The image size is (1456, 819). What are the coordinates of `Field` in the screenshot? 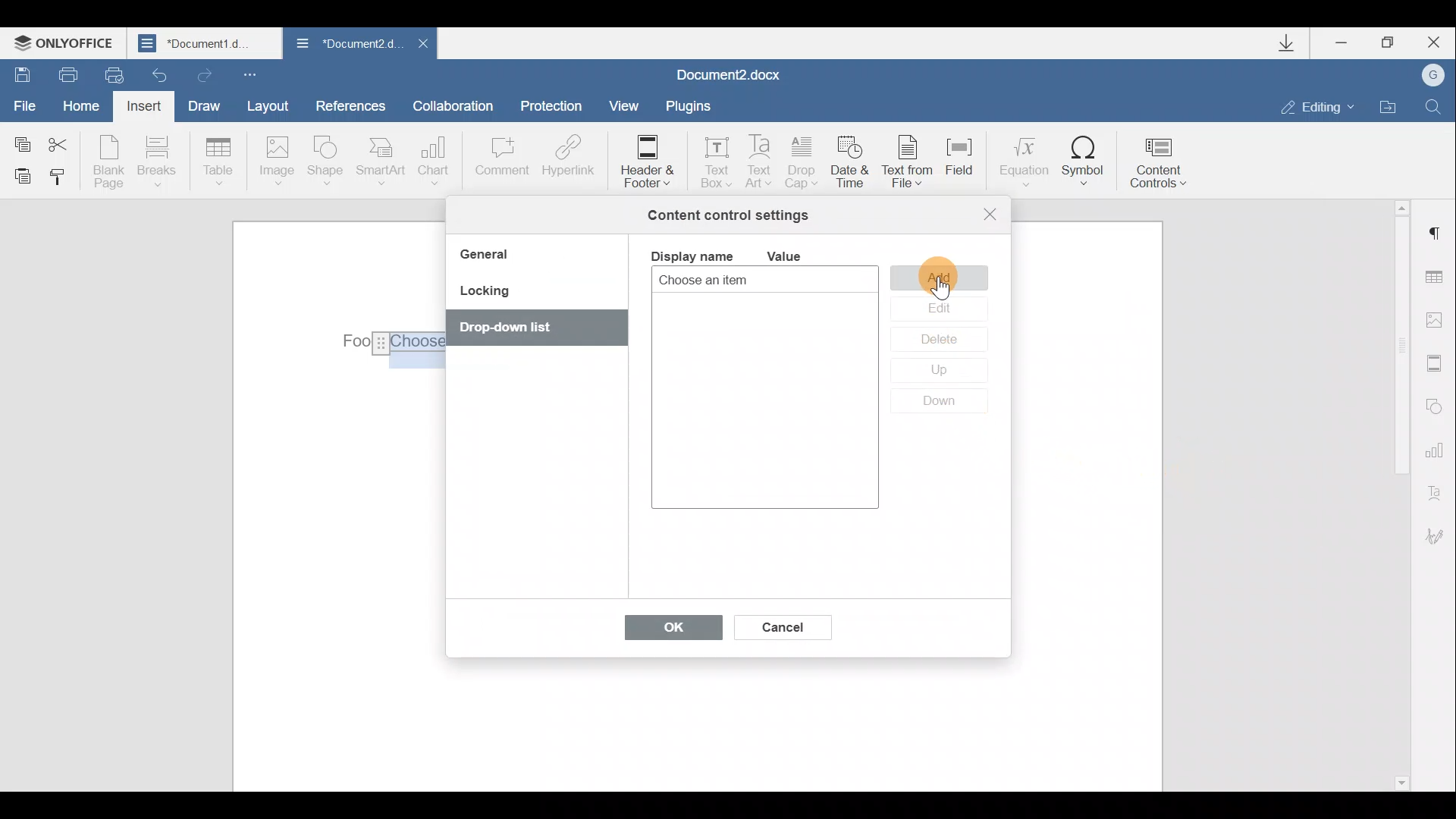 It's located at (966, 166).